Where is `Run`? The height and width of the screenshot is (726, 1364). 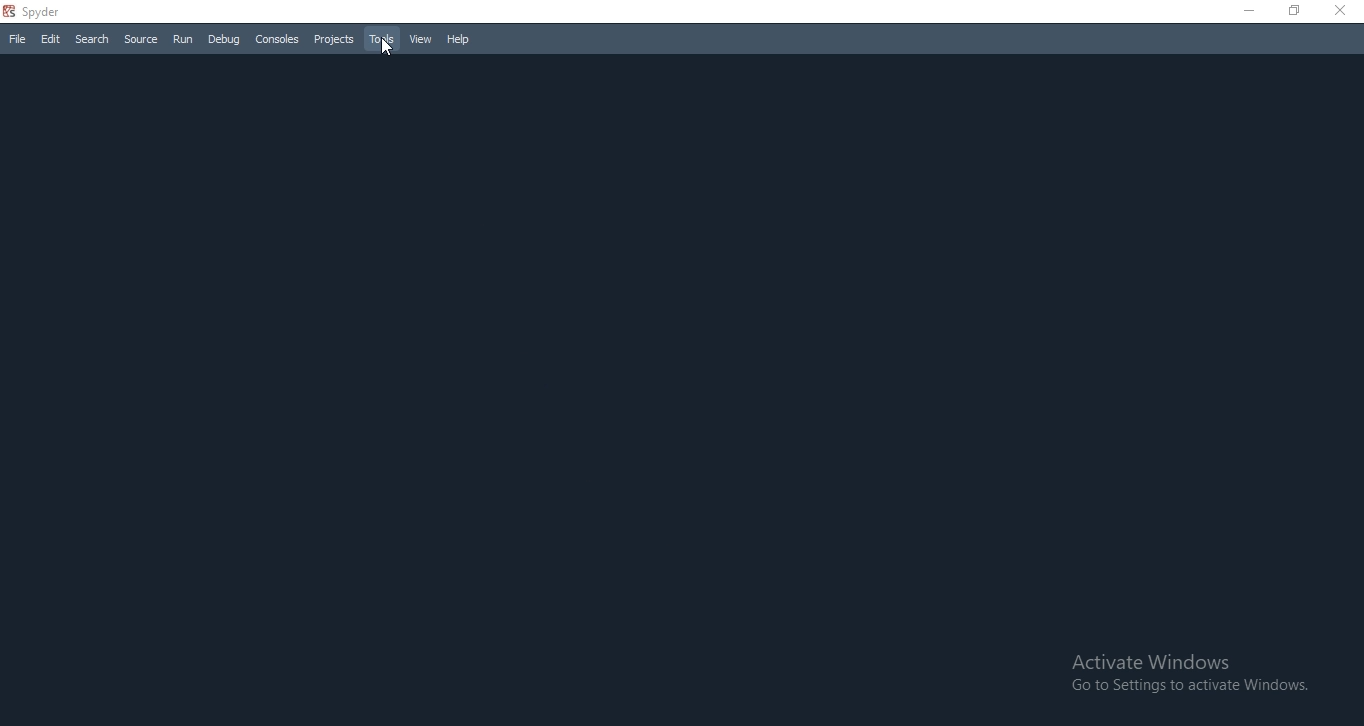 Run is located at coordinates (182, 40).